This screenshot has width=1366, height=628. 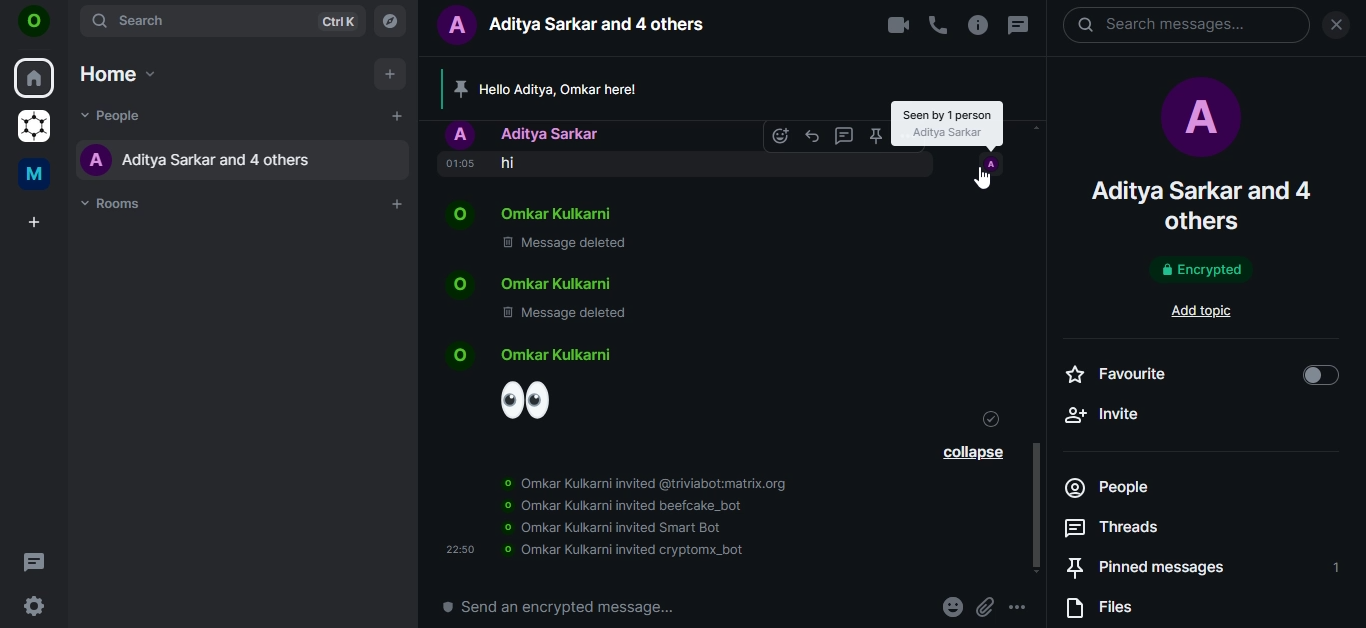 What do you see at coordinates (781, 136) in the screenshot?
I see `emoji` at bounding box center [781, 136].